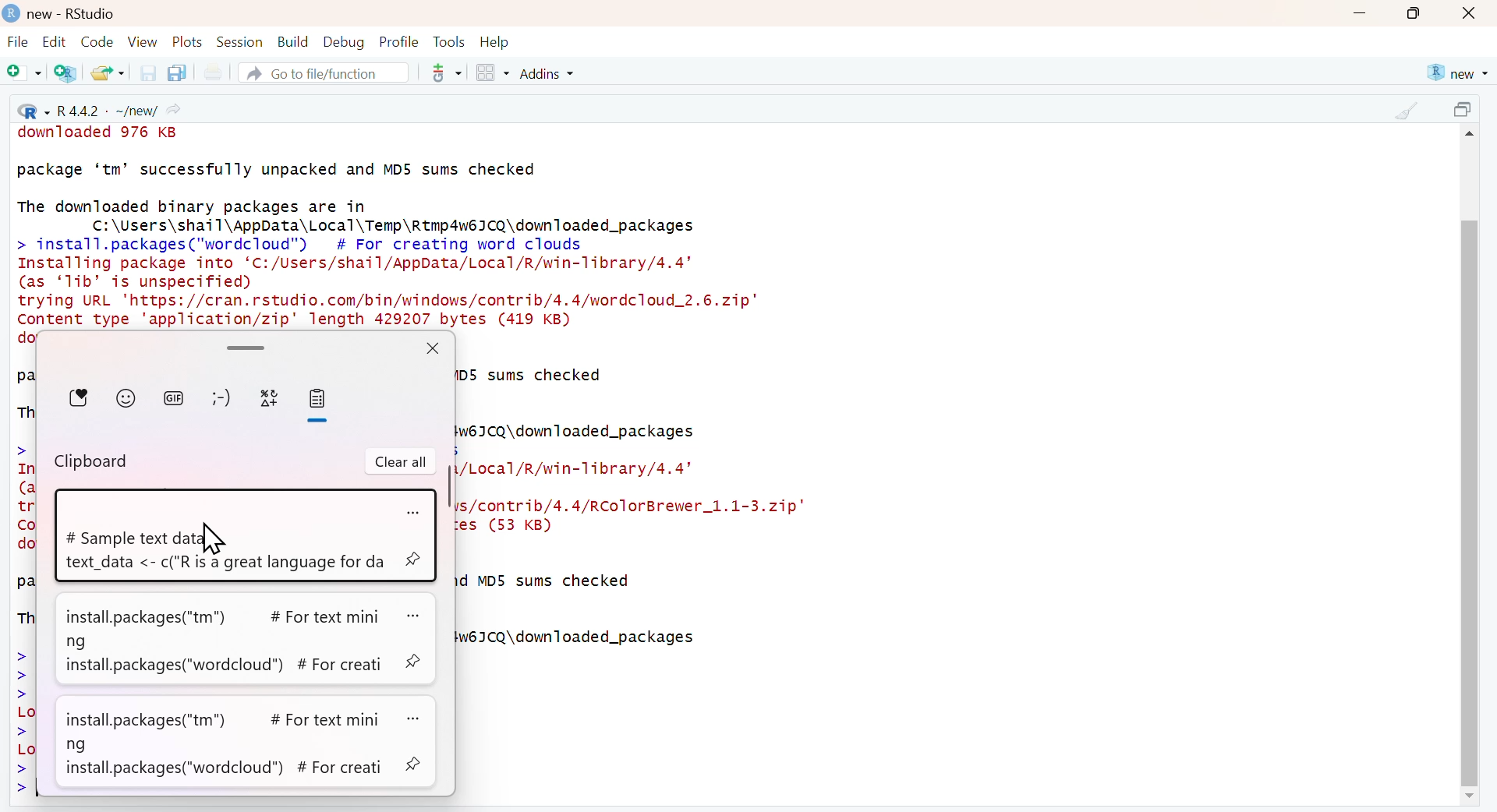 The width and height of the screenshot is (1497, 812). Describe the element at coordinates (145, 42) in the screenshot. I see `View` at that location.